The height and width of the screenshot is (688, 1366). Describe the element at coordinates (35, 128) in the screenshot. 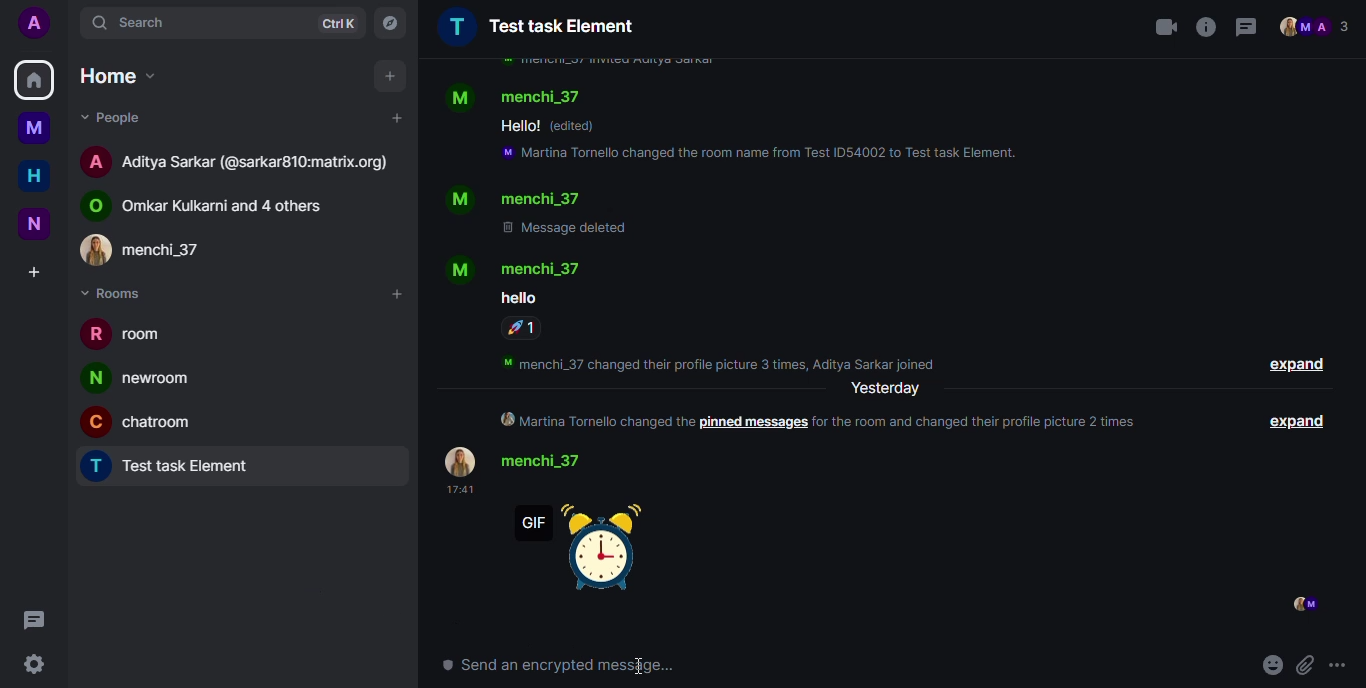

I see `myspace` at that location.